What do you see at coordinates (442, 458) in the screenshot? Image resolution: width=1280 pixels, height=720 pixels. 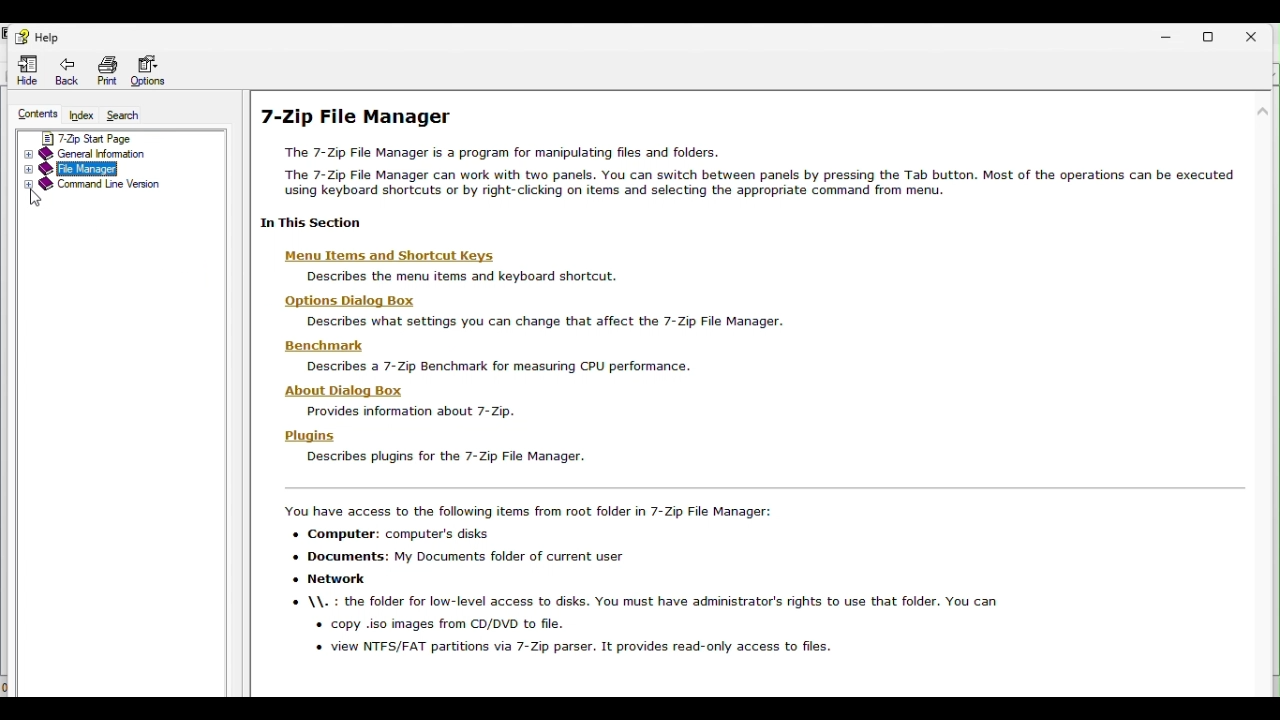 I see `Describes plugins for the /-Zip Fie Manager.` at bounding box center [442, 458].